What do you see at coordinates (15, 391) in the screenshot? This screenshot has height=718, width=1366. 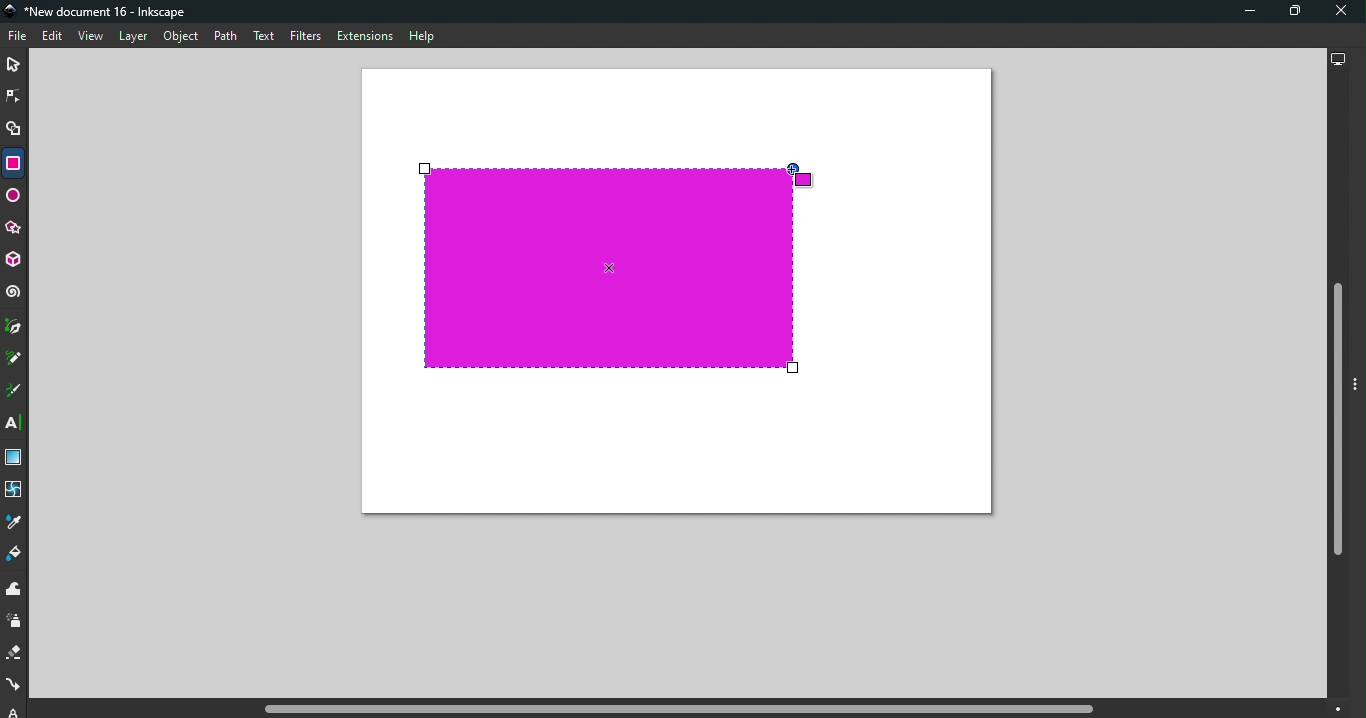 I see `Calligraphy tool` at bounding box center [15, 391].